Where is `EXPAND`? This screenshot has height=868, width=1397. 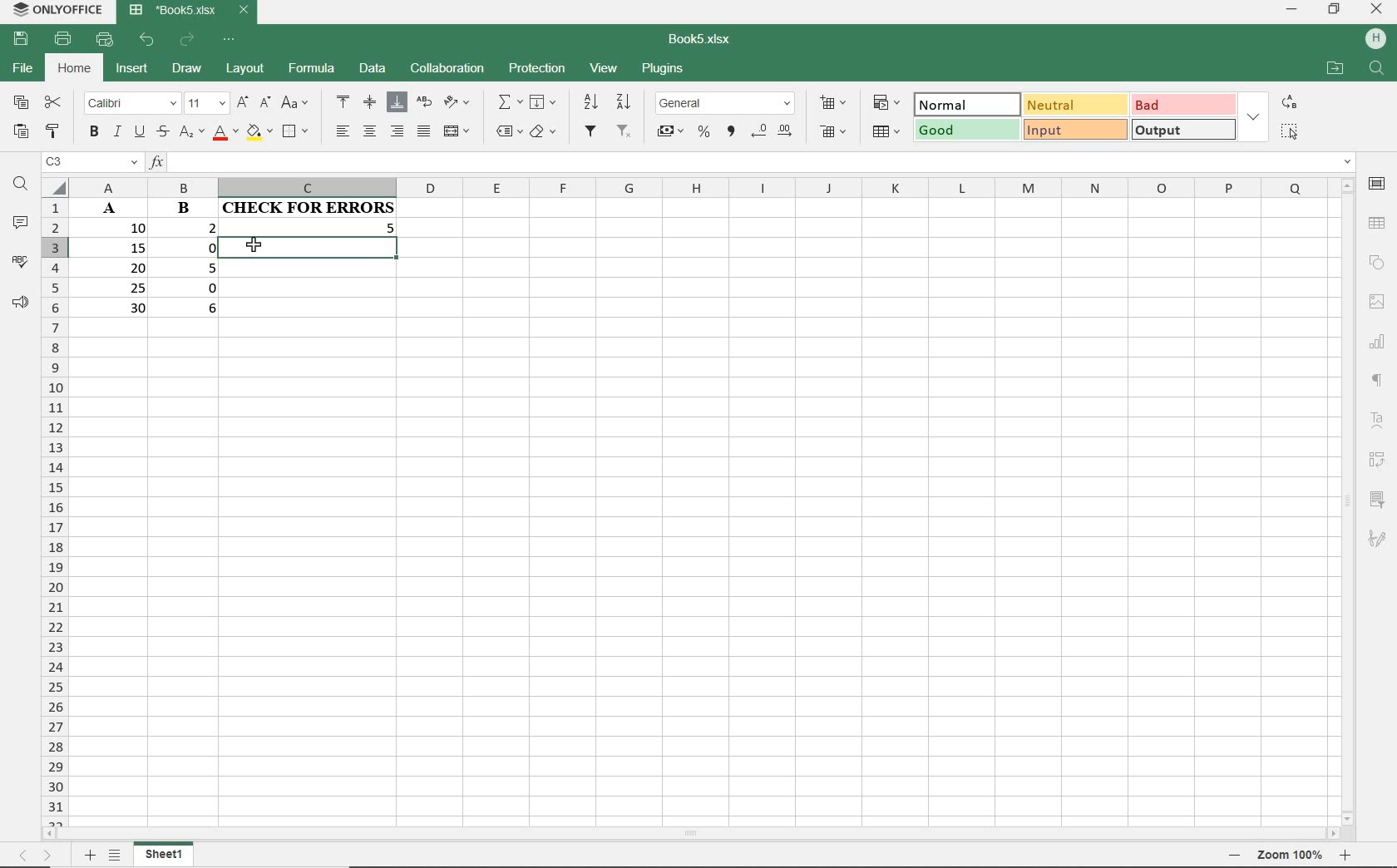
EXPAND is located at coordinates (1254, 115).